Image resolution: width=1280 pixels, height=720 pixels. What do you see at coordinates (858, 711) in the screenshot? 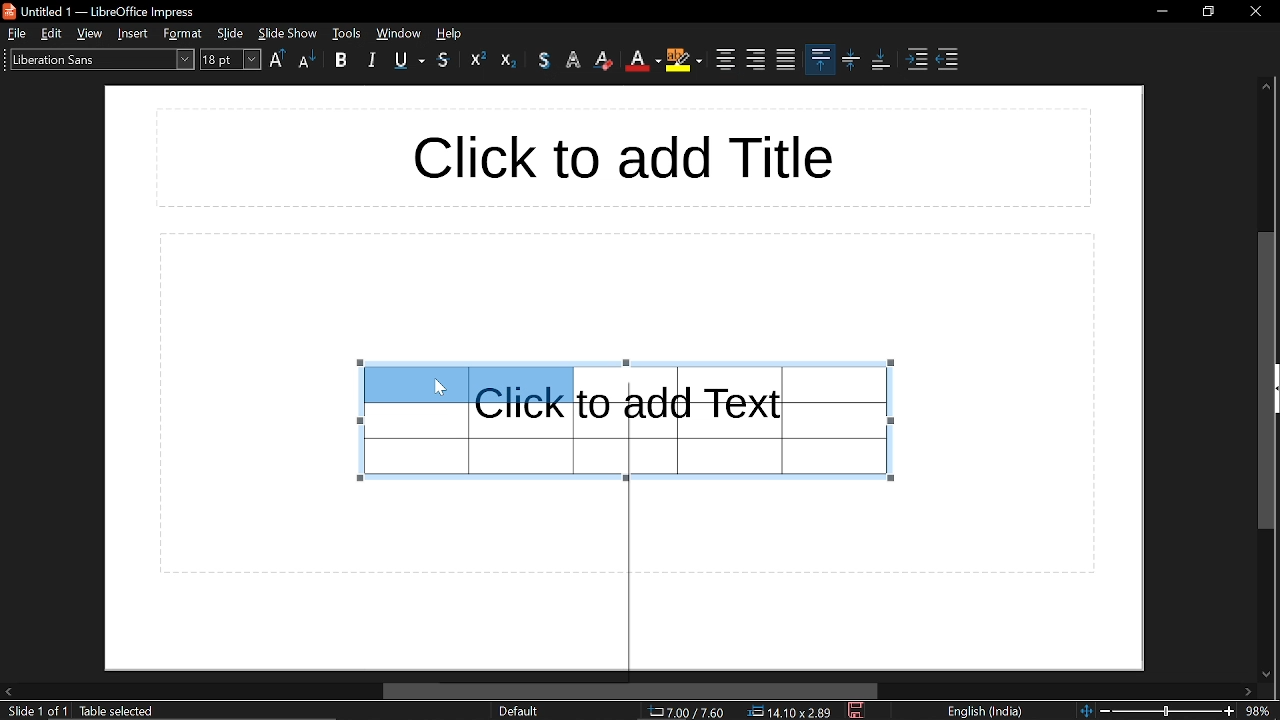
I see `save` at bounding box center [858, 711].